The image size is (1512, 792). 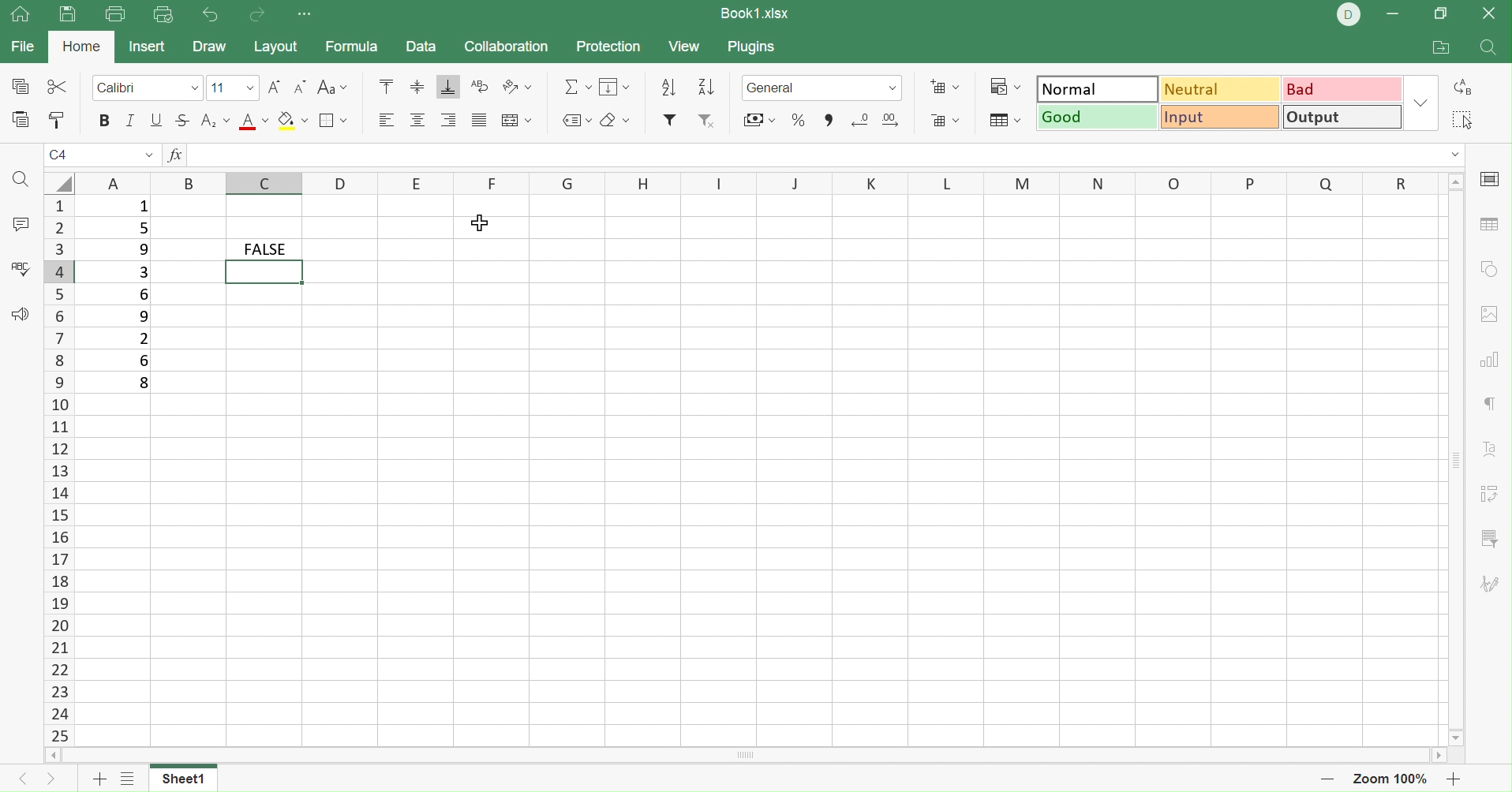 What do you see at coordinates (946, 123) in the screenshot?
I see `Delete cells` at bounding box center [946, 123].